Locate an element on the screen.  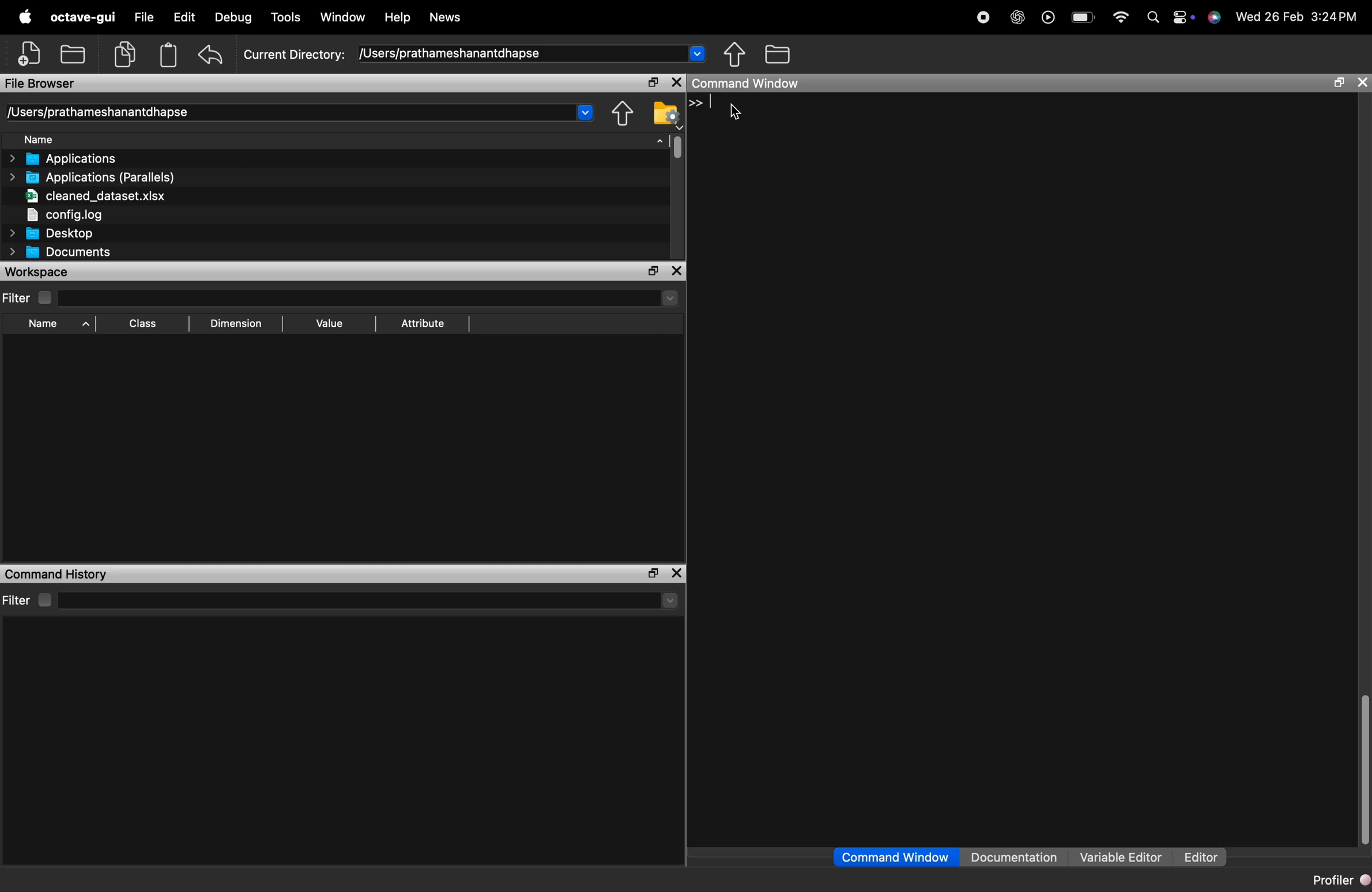
play is located at coordinates (1046, 18).